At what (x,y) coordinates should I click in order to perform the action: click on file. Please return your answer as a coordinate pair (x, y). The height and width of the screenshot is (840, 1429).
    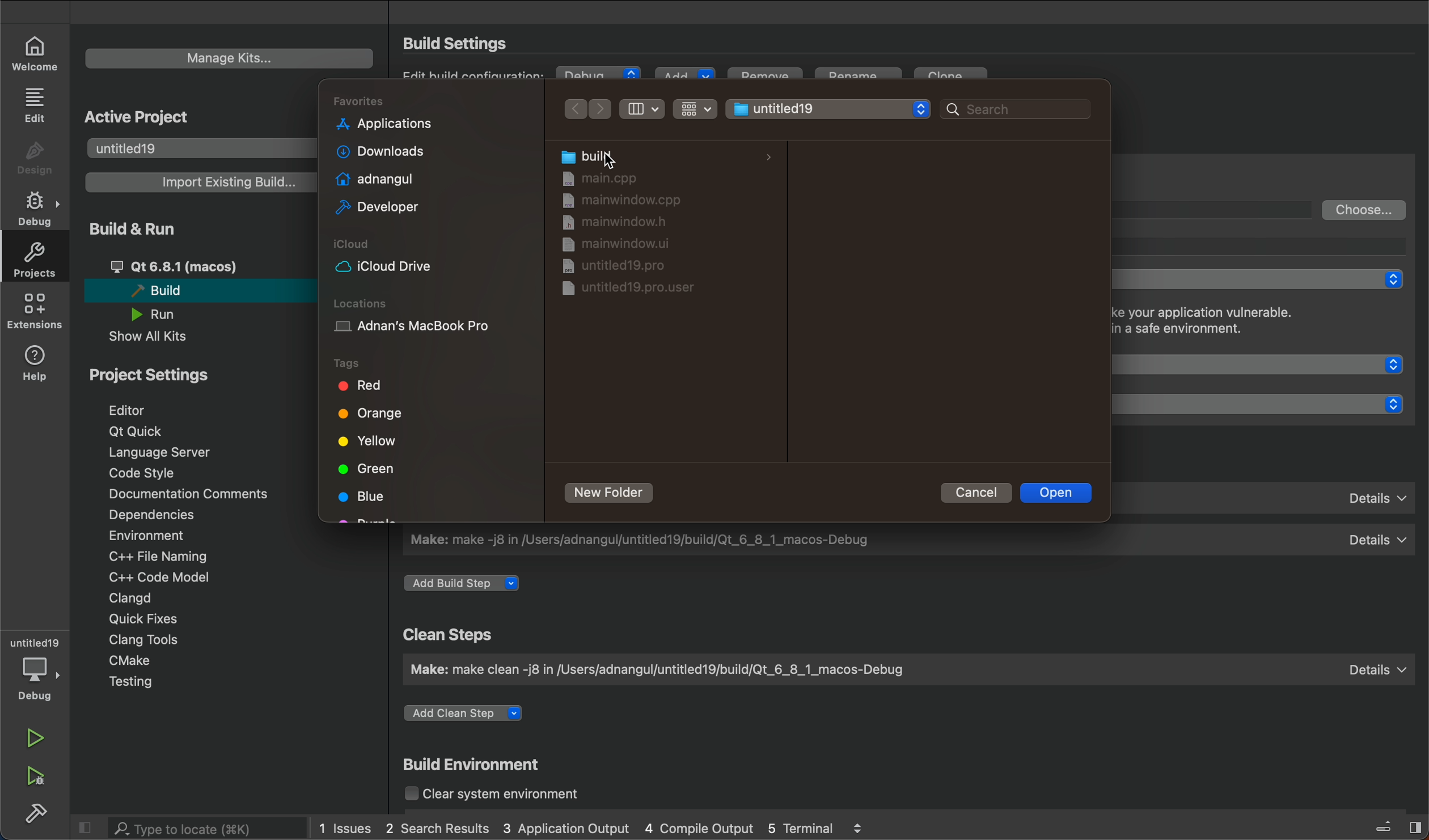
    Looking at the image, I should click on (617, 246).